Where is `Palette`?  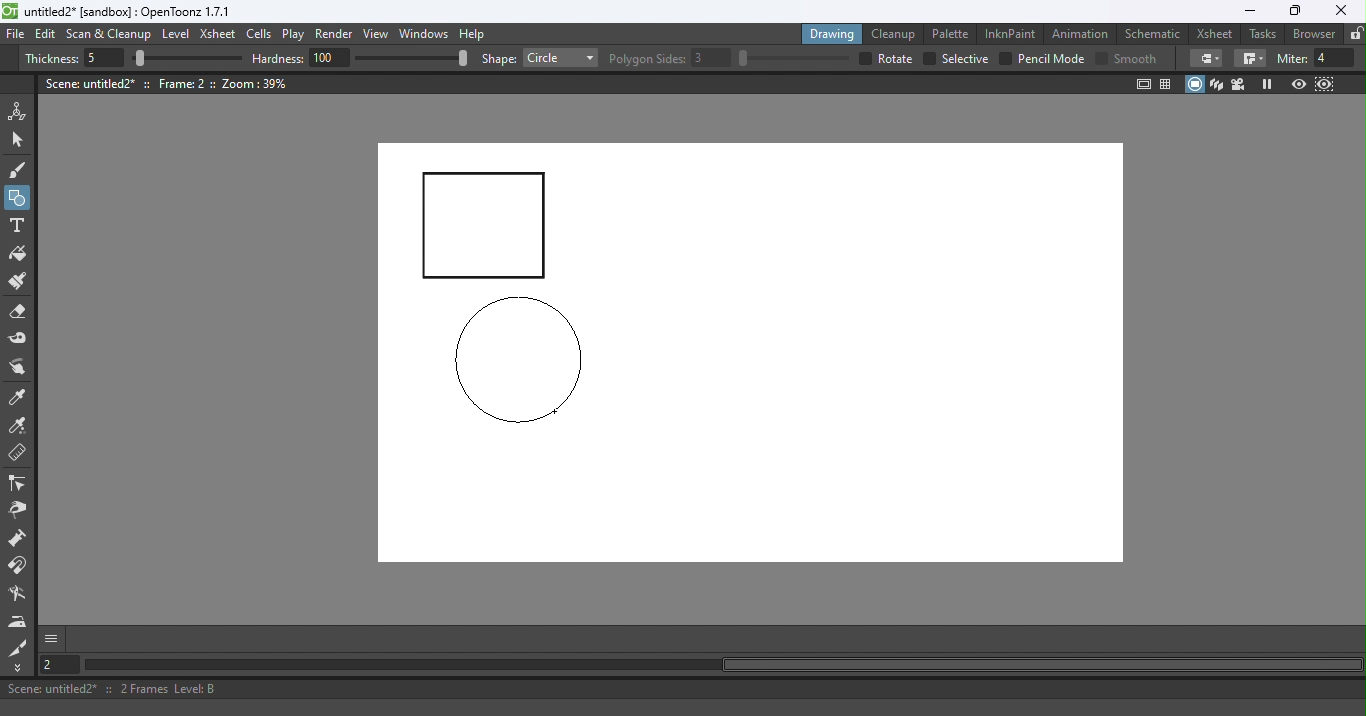 Palette is located at coordinates (953, 33).